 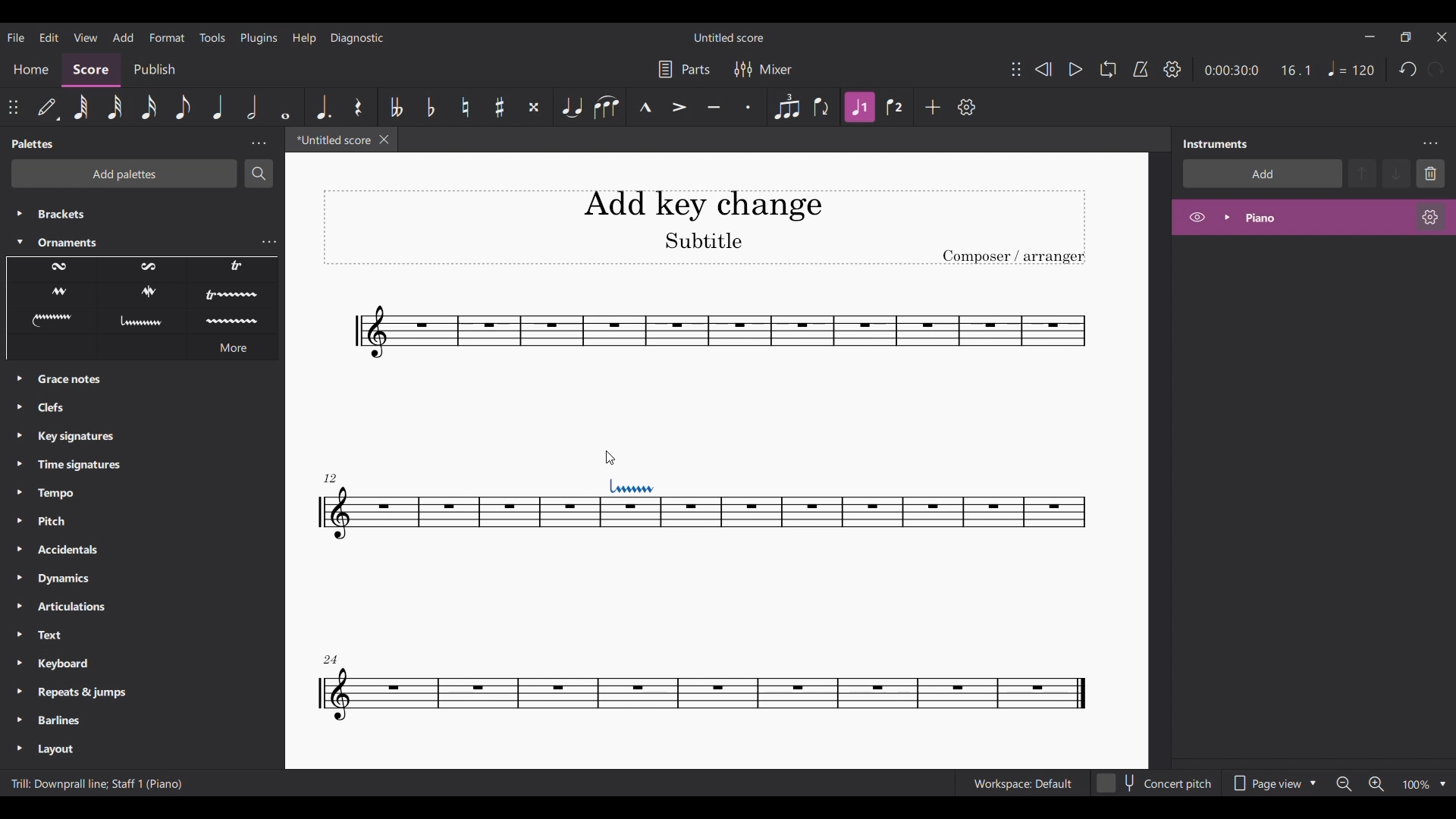 I want to click on Ratio and duration of score, so click(x=1257, y=70).